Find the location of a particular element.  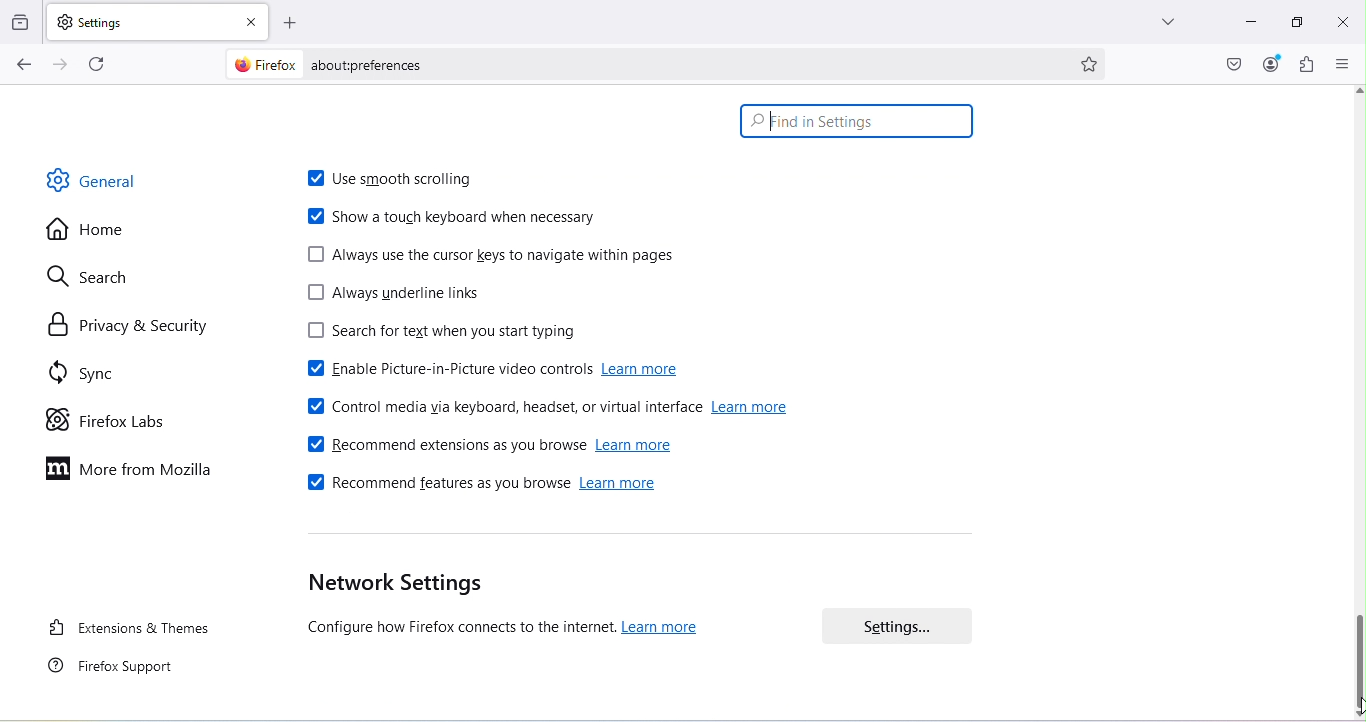

learn more is located at coordinates (665, 629).